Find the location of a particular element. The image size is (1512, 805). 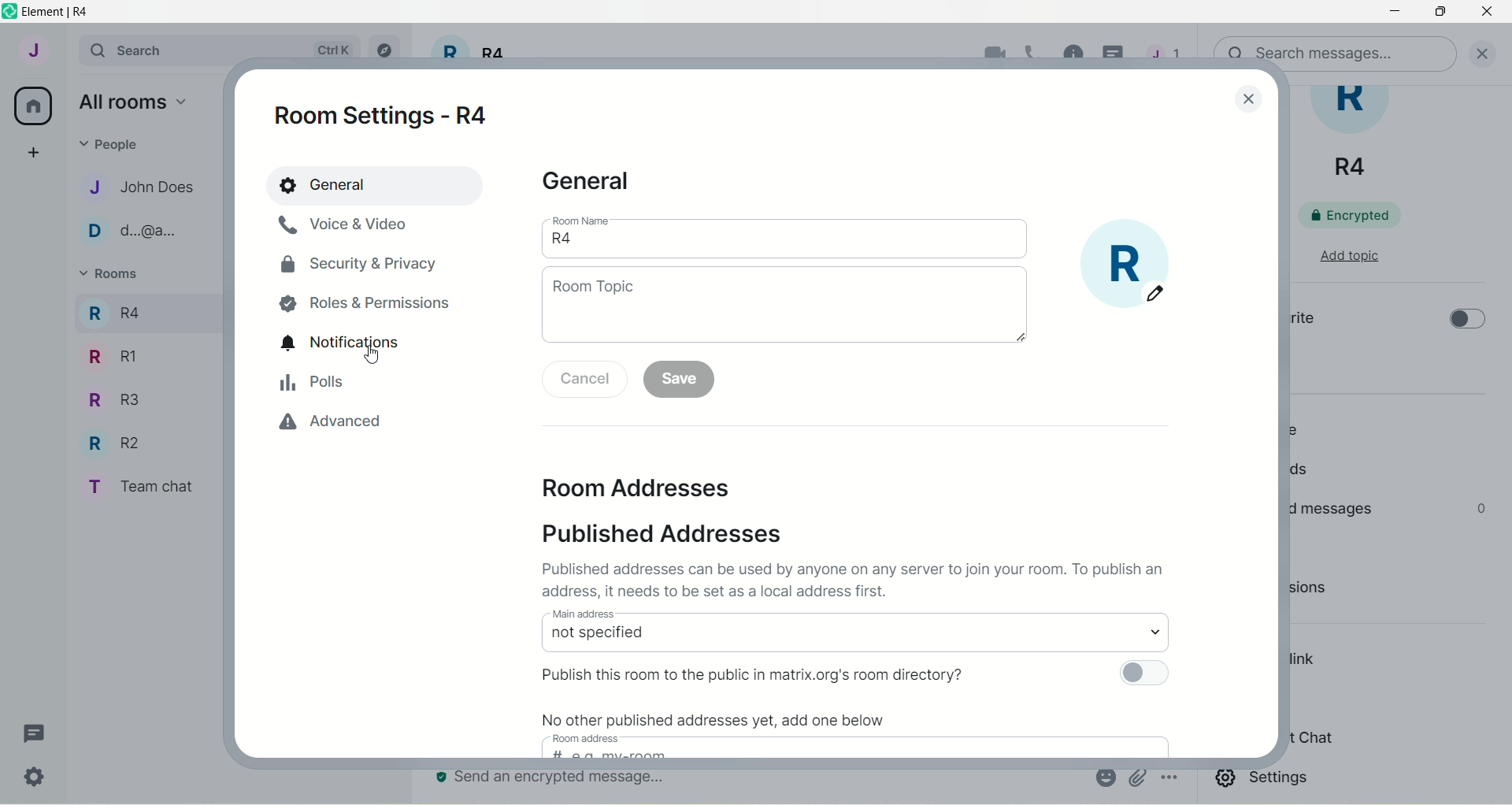

logo is located at coordinates (9, 12).